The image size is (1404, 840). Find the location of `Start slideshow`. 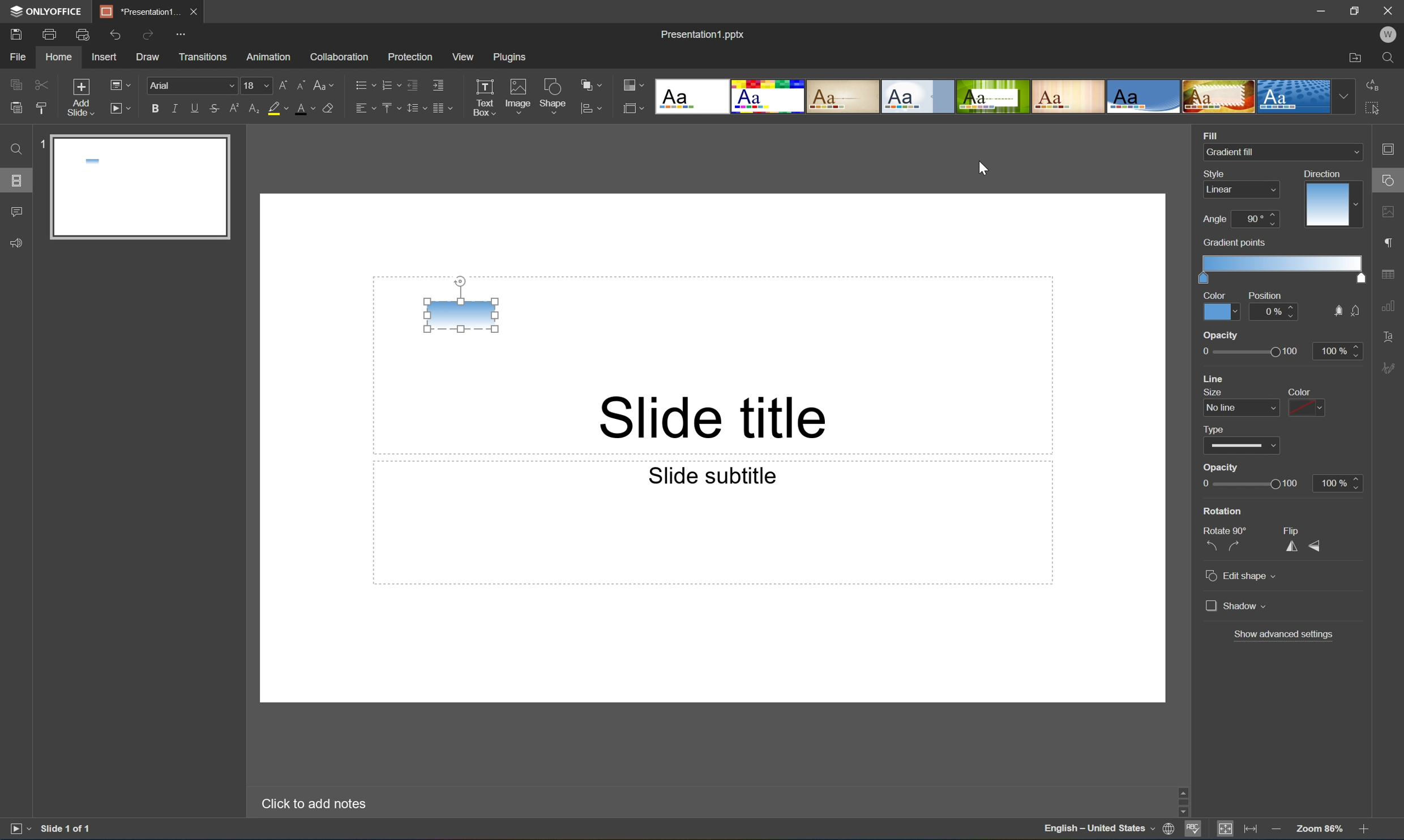

Start slideshow is located at coordinates (119, 107).